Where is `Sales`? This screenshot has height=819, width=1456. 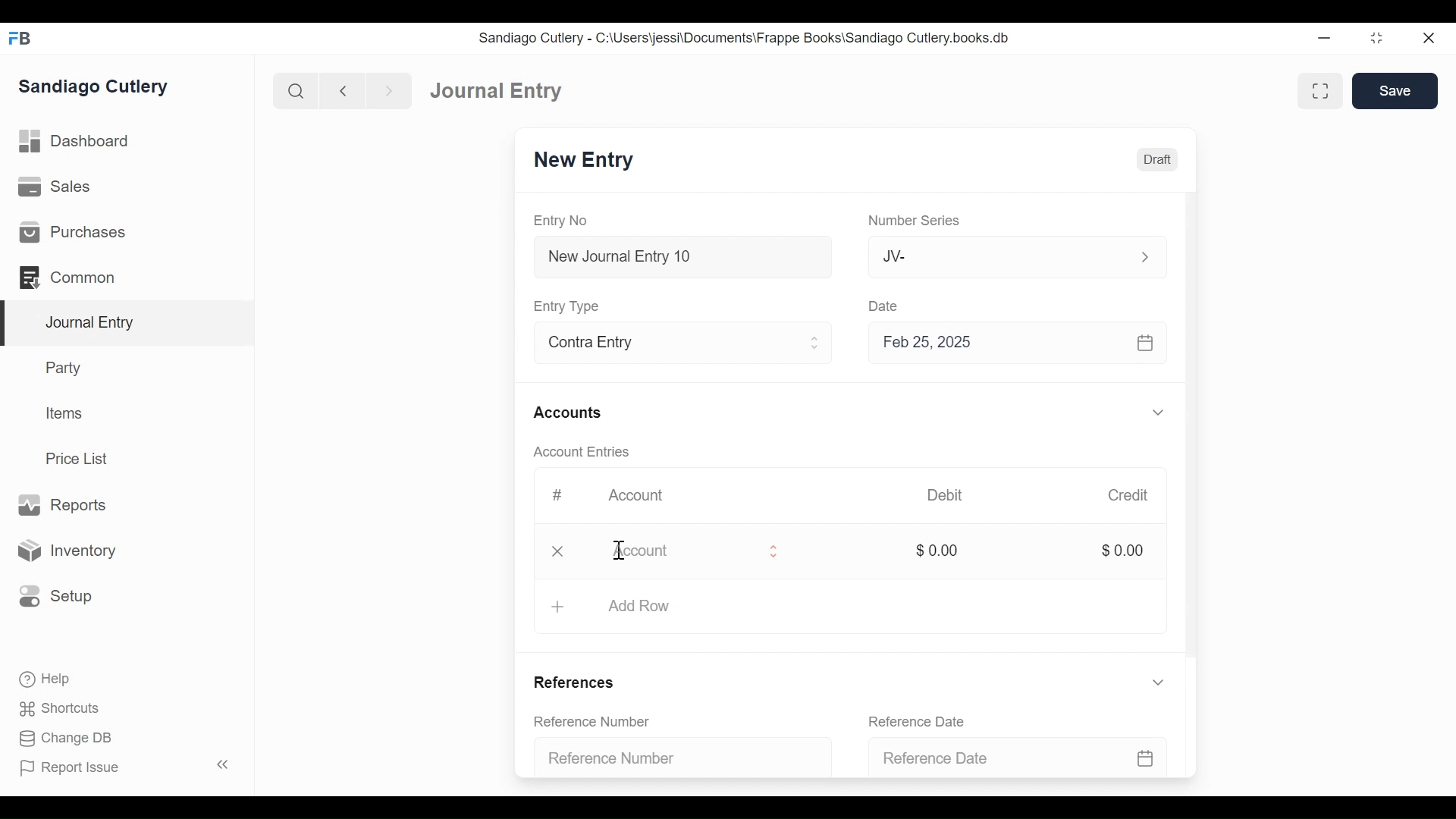
Sales is located at coordinates (53, 188).